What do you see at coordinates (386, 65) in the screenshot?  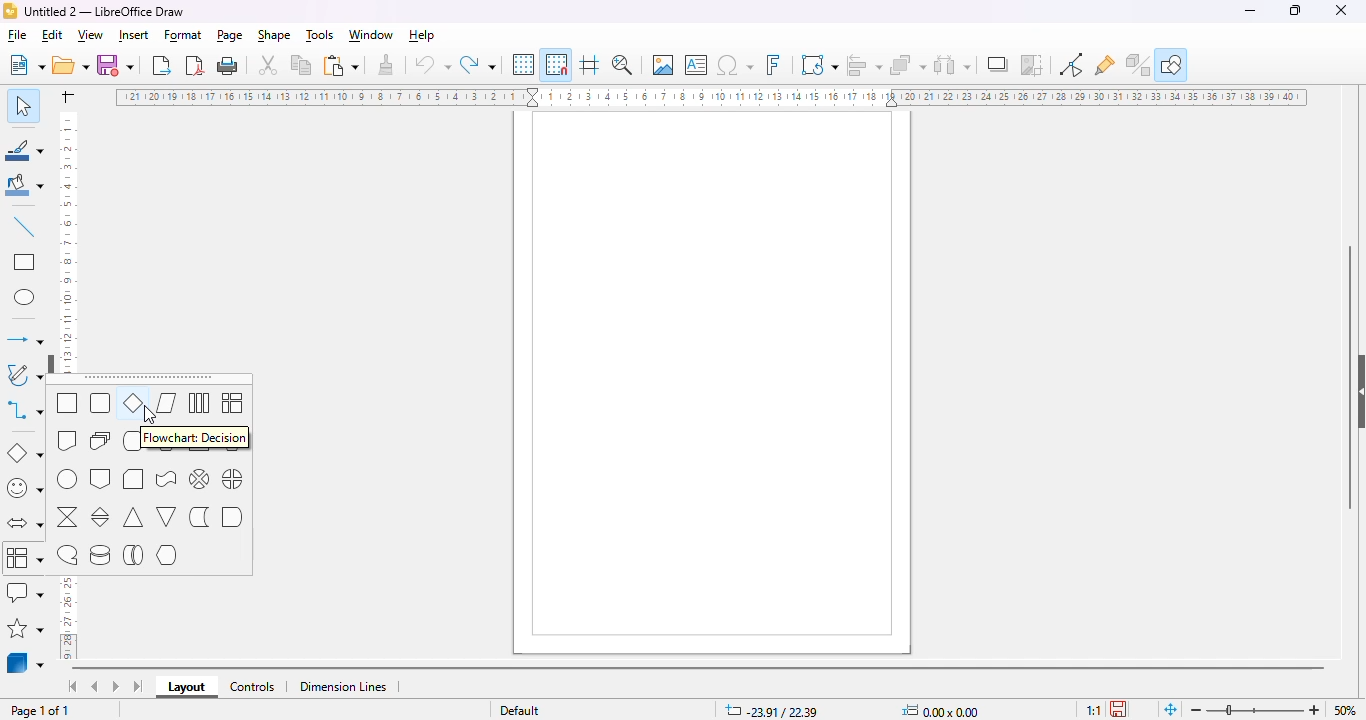 I see `clone formatting` at bounding box center [386, 65].